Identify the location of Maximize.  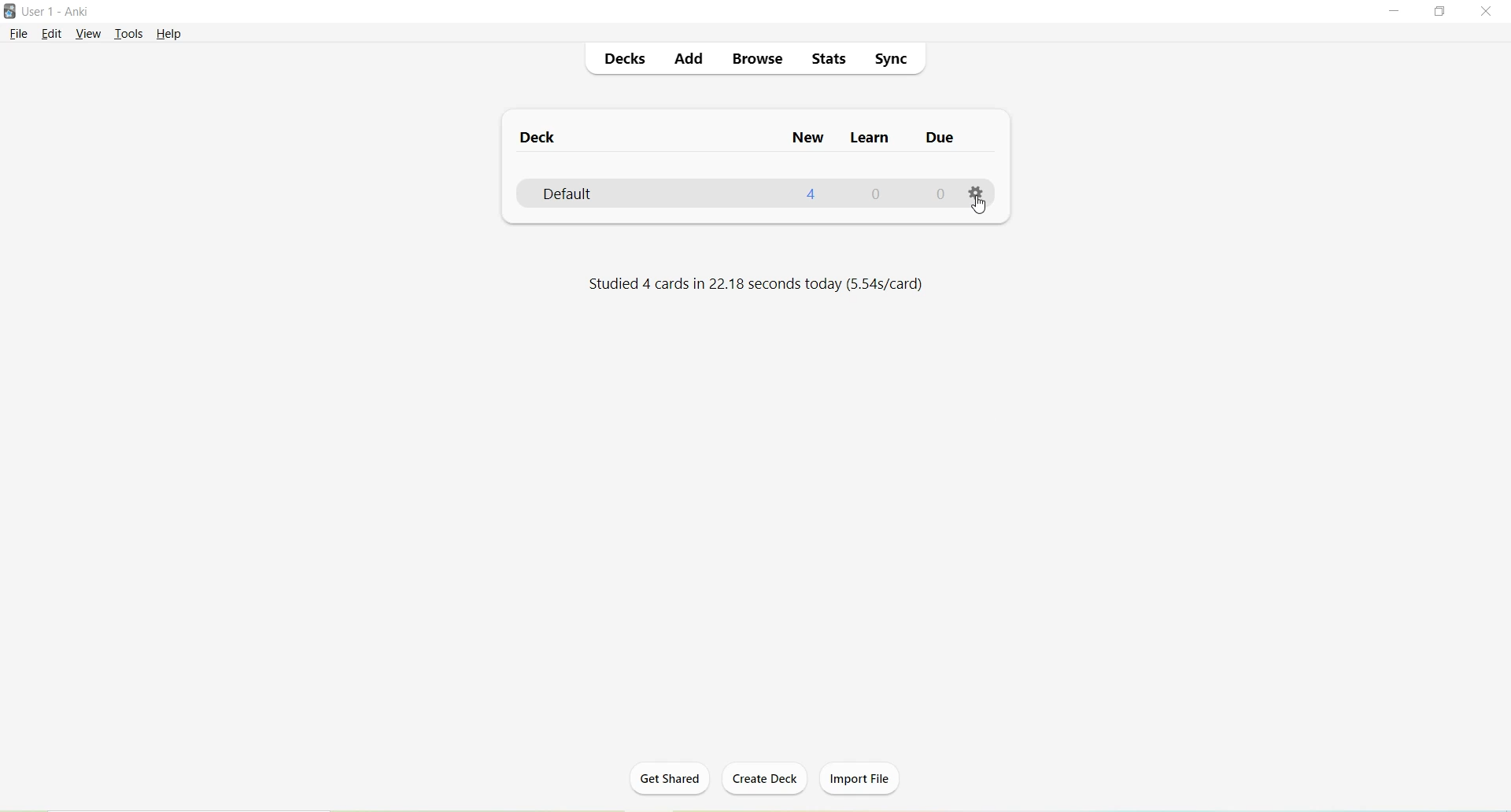
(1446, 12).